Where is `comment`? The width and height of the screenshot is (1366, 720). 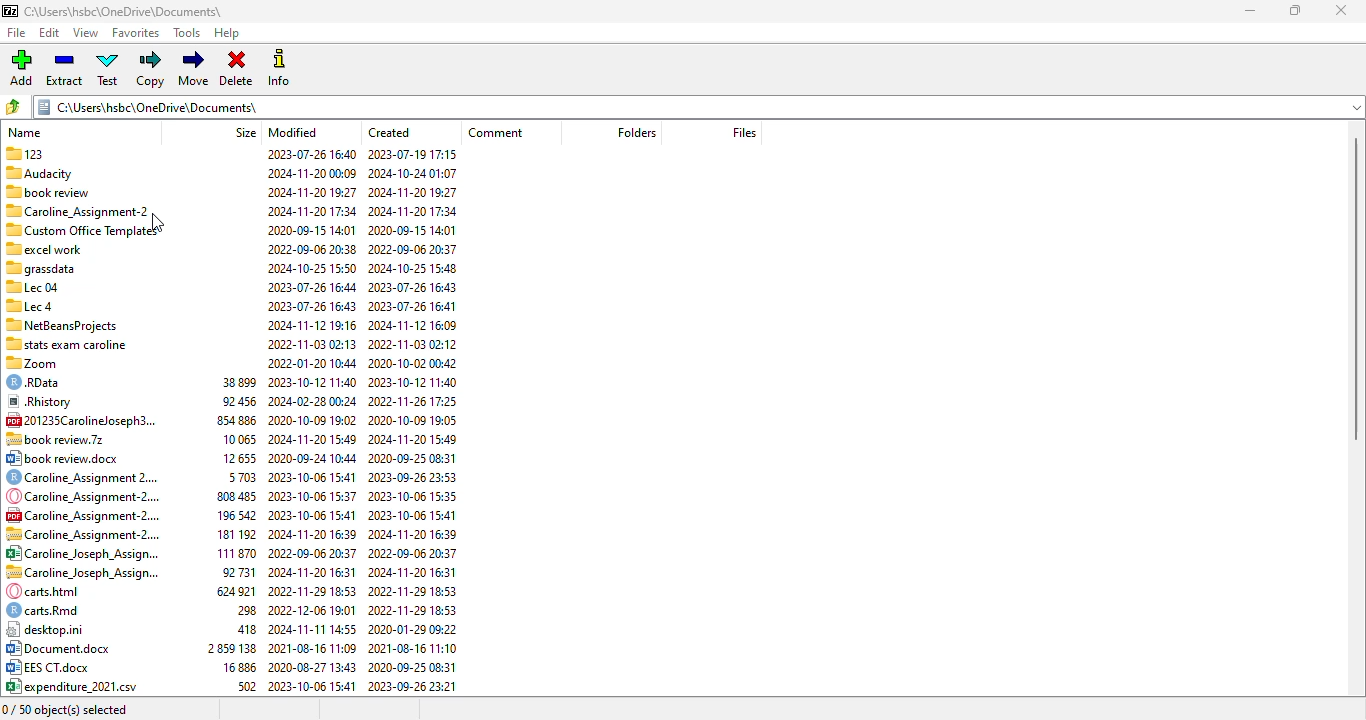
comment is located at coordinates (495, 132).